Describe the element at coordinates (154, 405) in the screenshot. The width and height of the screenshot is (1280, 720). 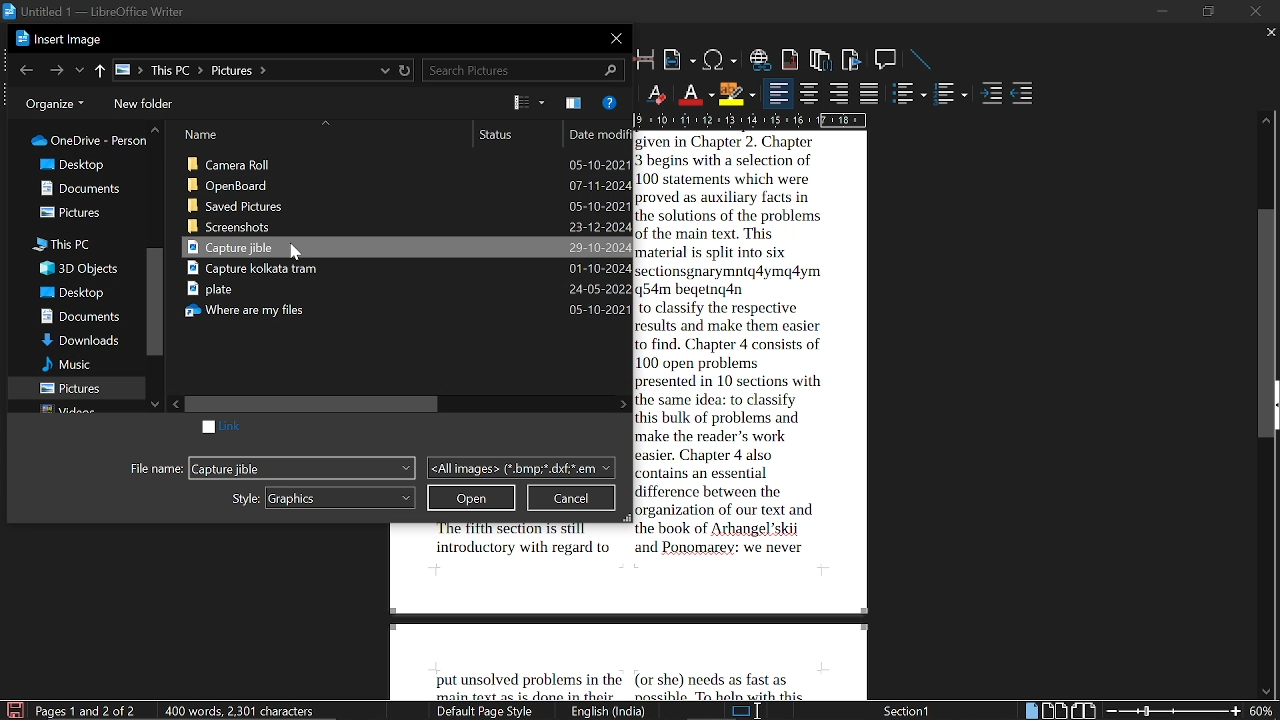
I see `move down` at that location.